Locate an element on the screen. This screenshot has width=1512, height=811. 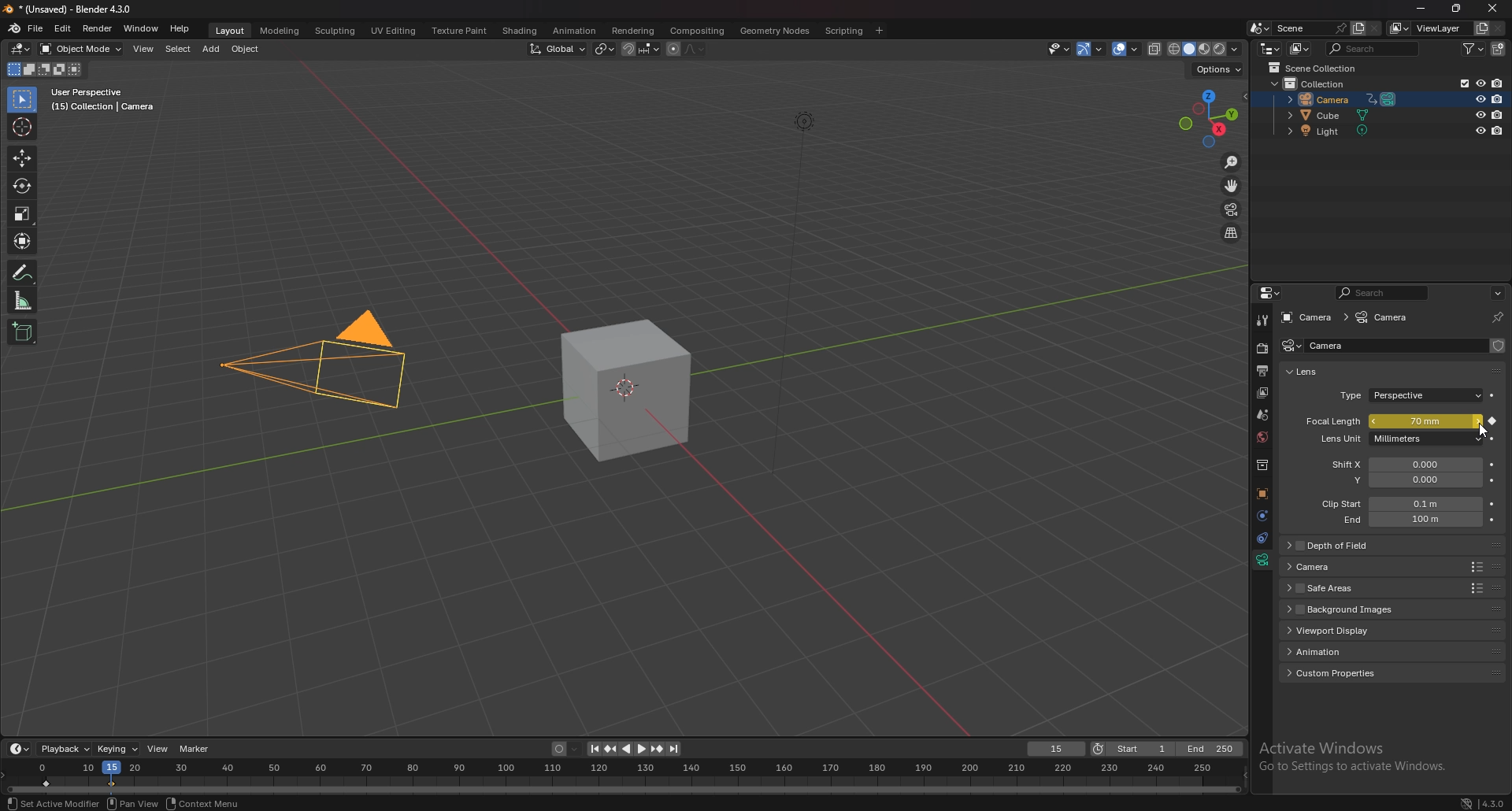
blender is located at coordinates (16, 28).